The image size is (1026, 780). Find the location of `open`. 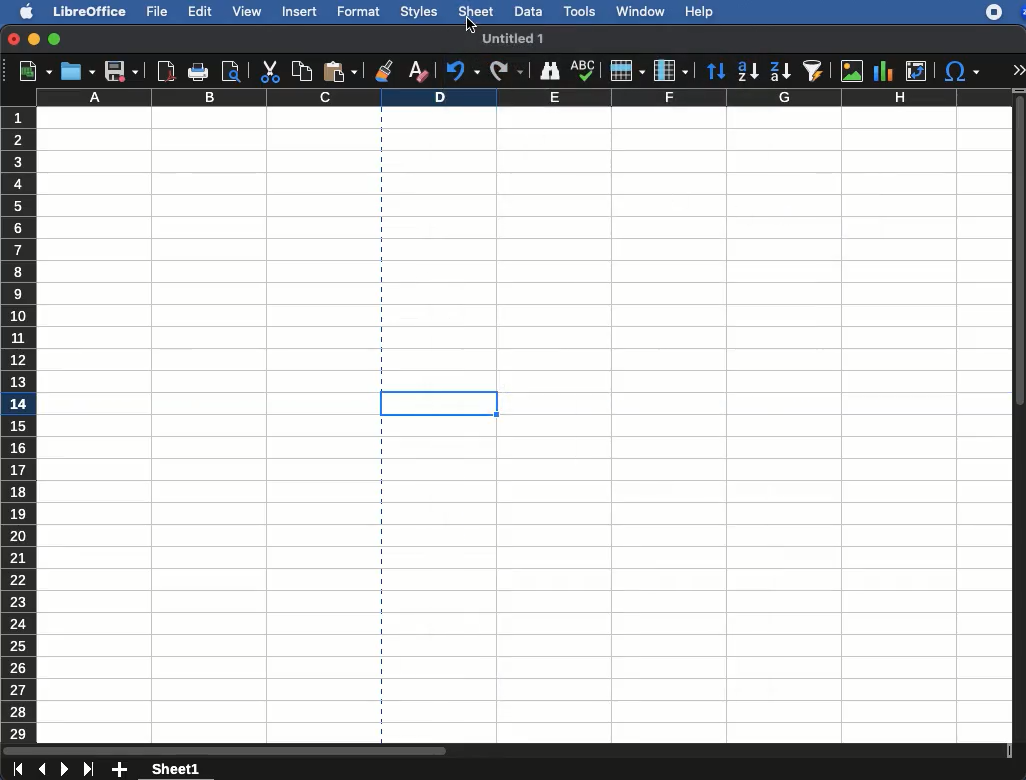

open is located at coordinates (78, 70).